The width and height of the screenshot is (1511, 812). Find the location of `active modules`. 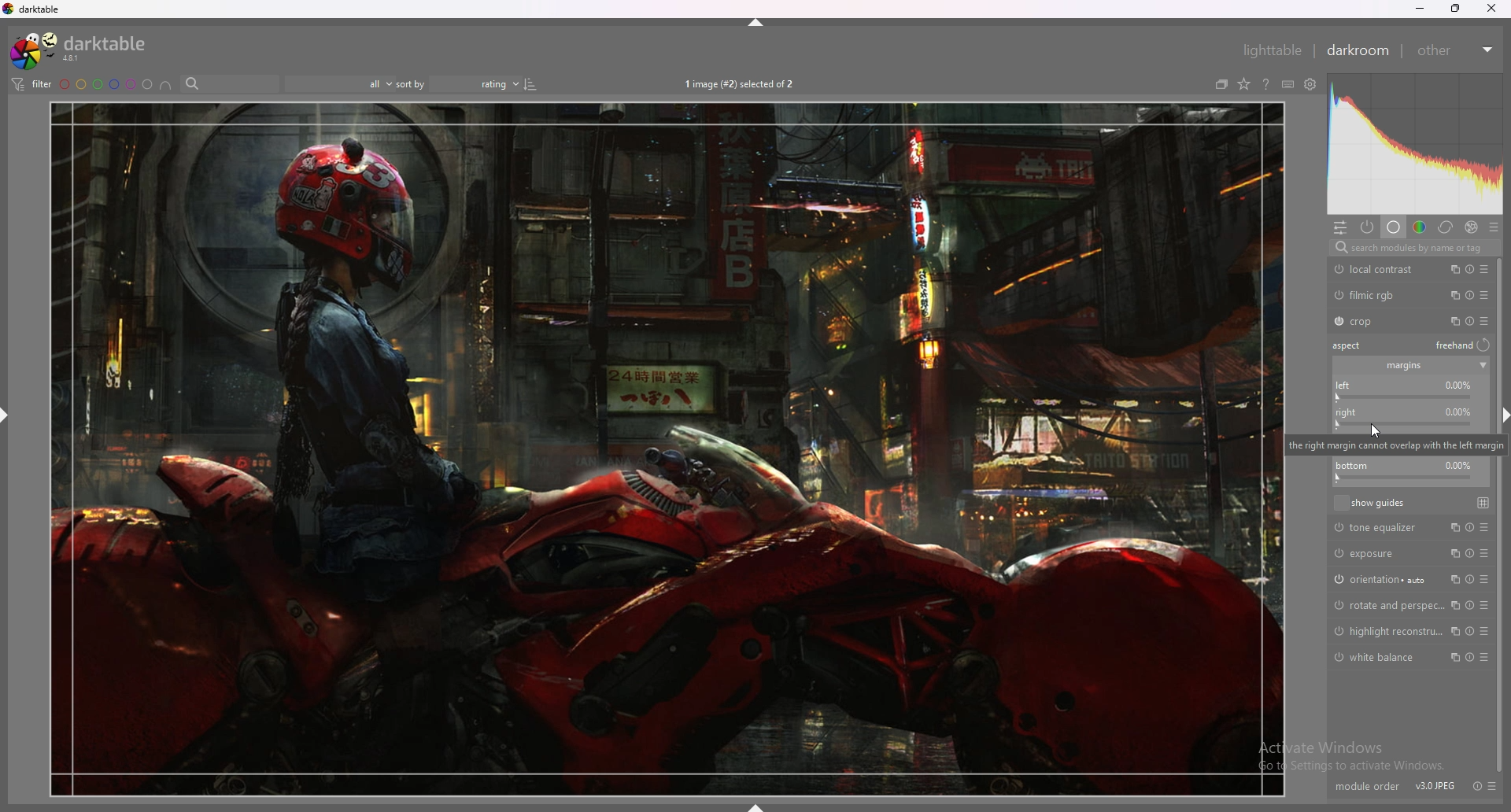

active modules is located at coordinates (1368, 227).